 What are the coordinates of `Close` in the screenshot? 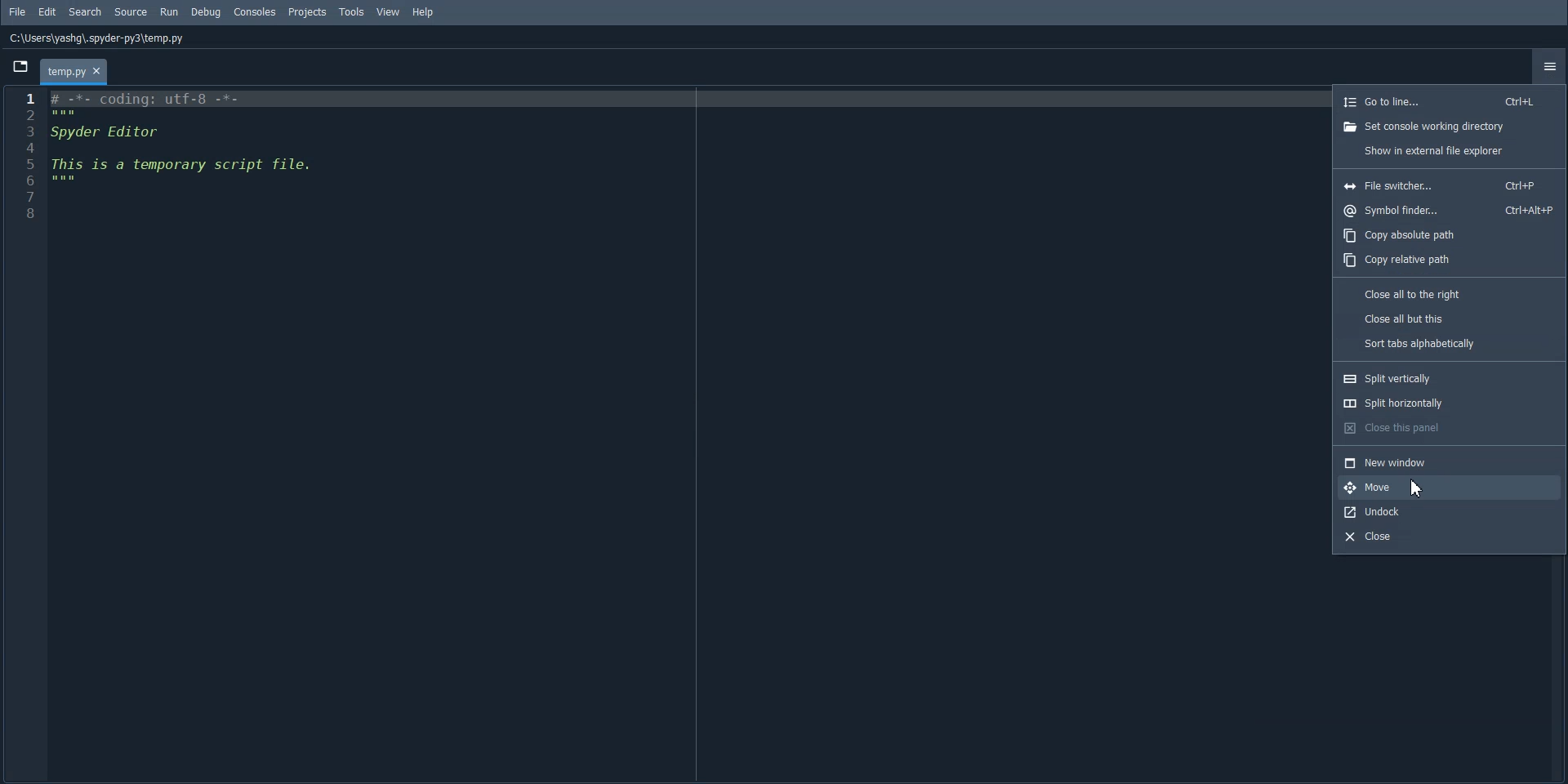 It's located at (1444, 537).